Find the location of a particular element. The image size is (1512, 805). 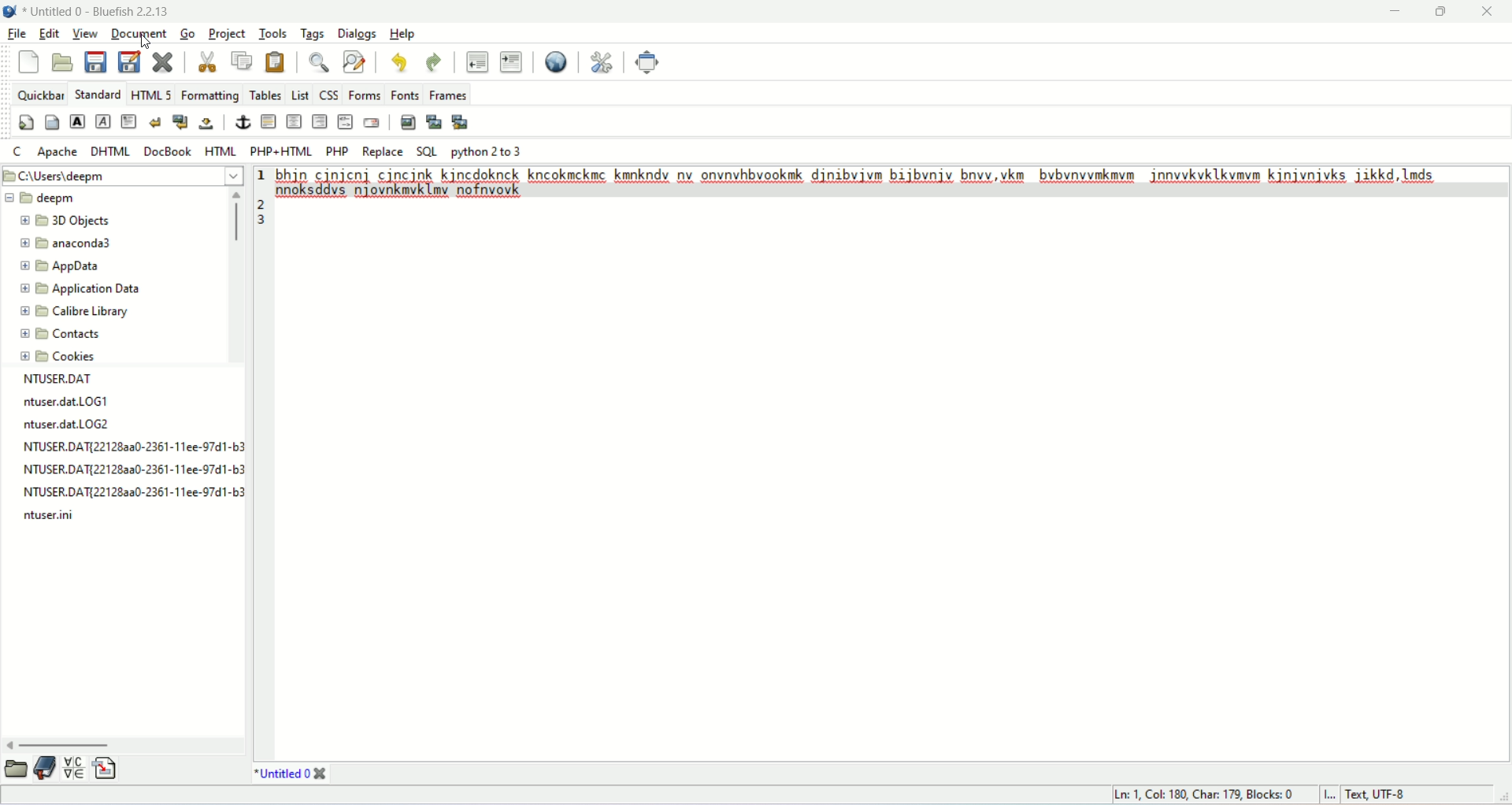

PHP+HTML is located at coordinates (282, 151).